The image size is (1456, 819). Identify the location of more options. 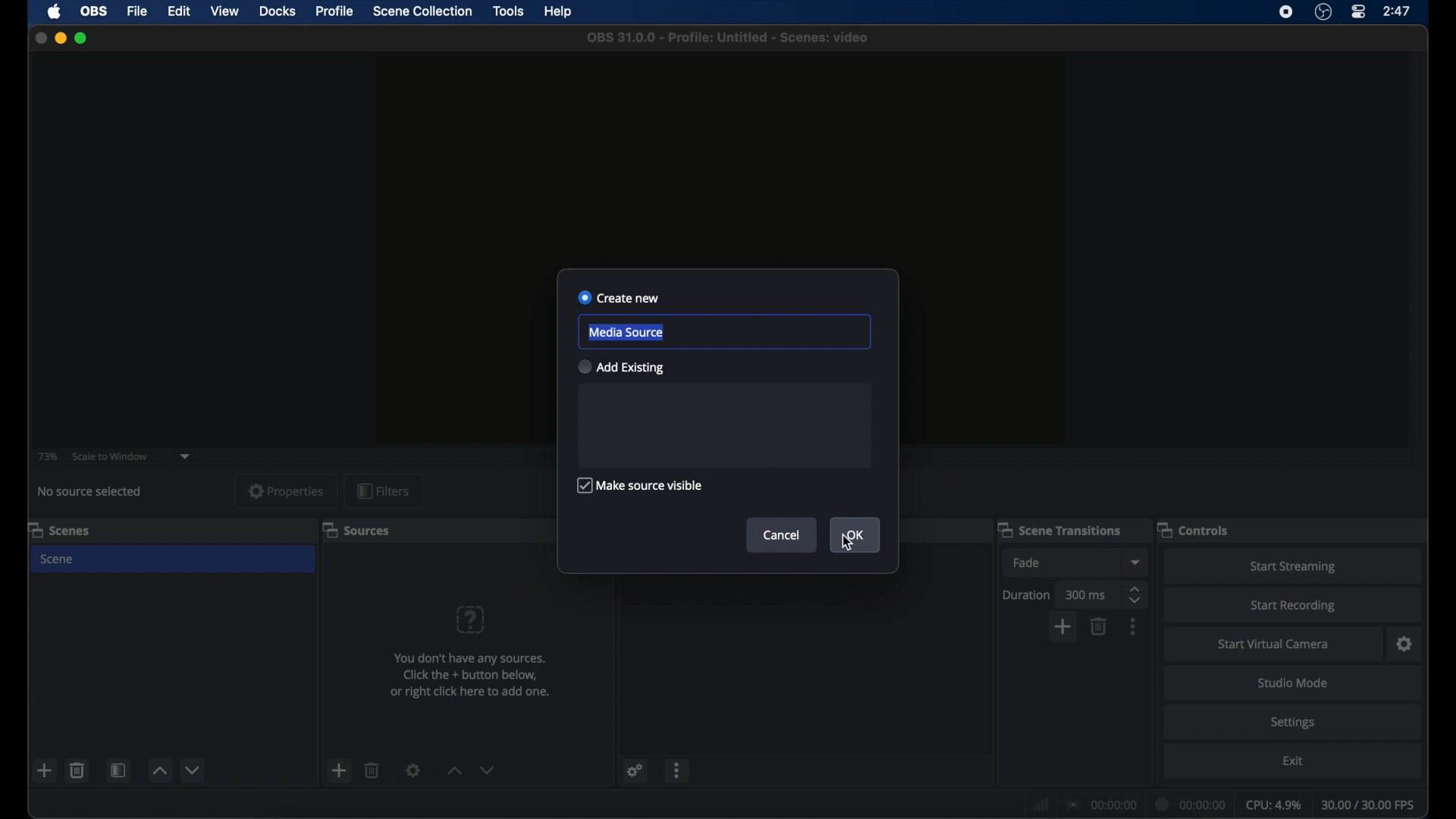
(1133, 626).